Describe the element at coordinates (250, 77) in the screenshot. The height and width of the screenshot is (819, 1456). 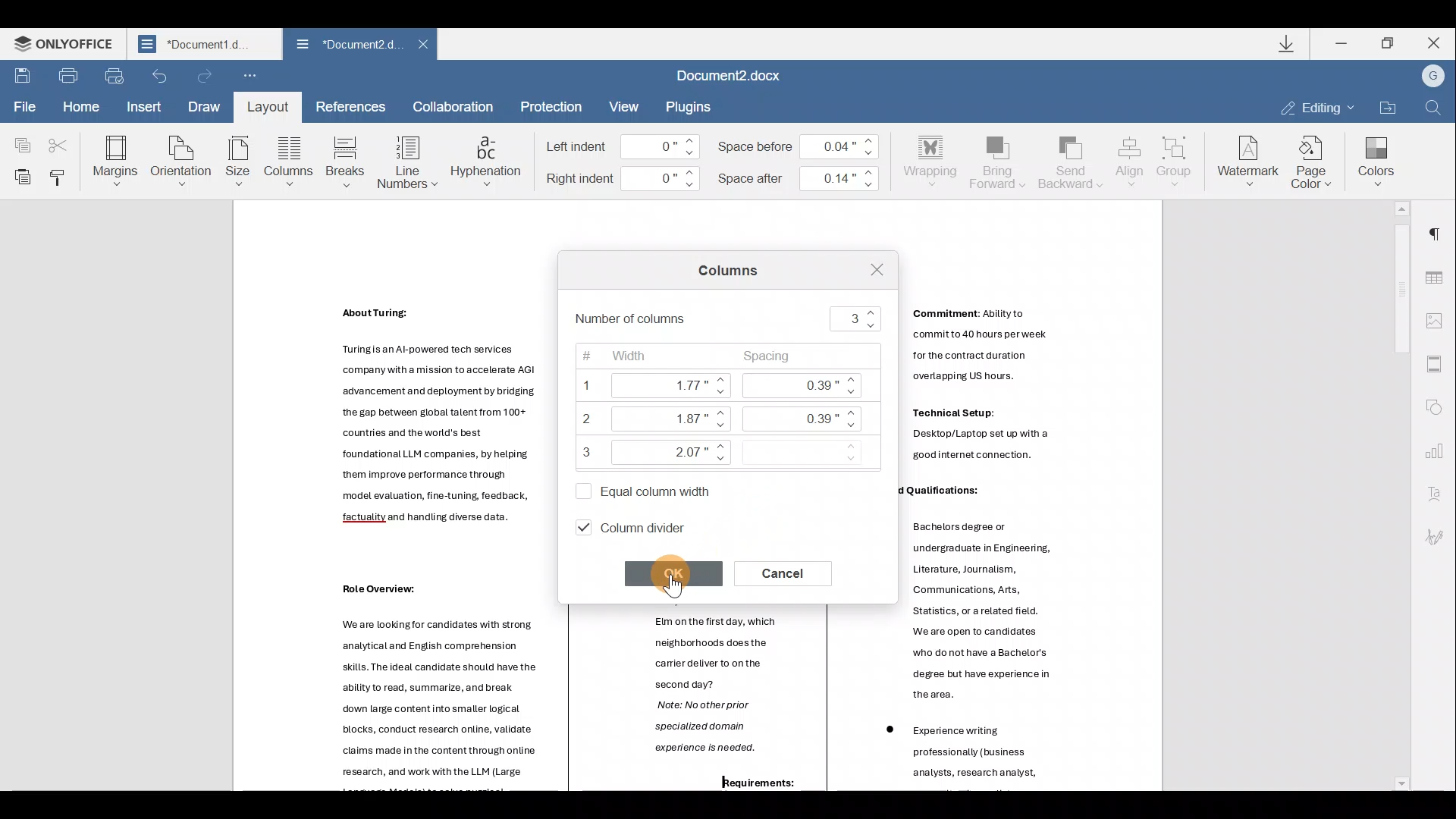
I see `Customize quick access toolbar` at that location.